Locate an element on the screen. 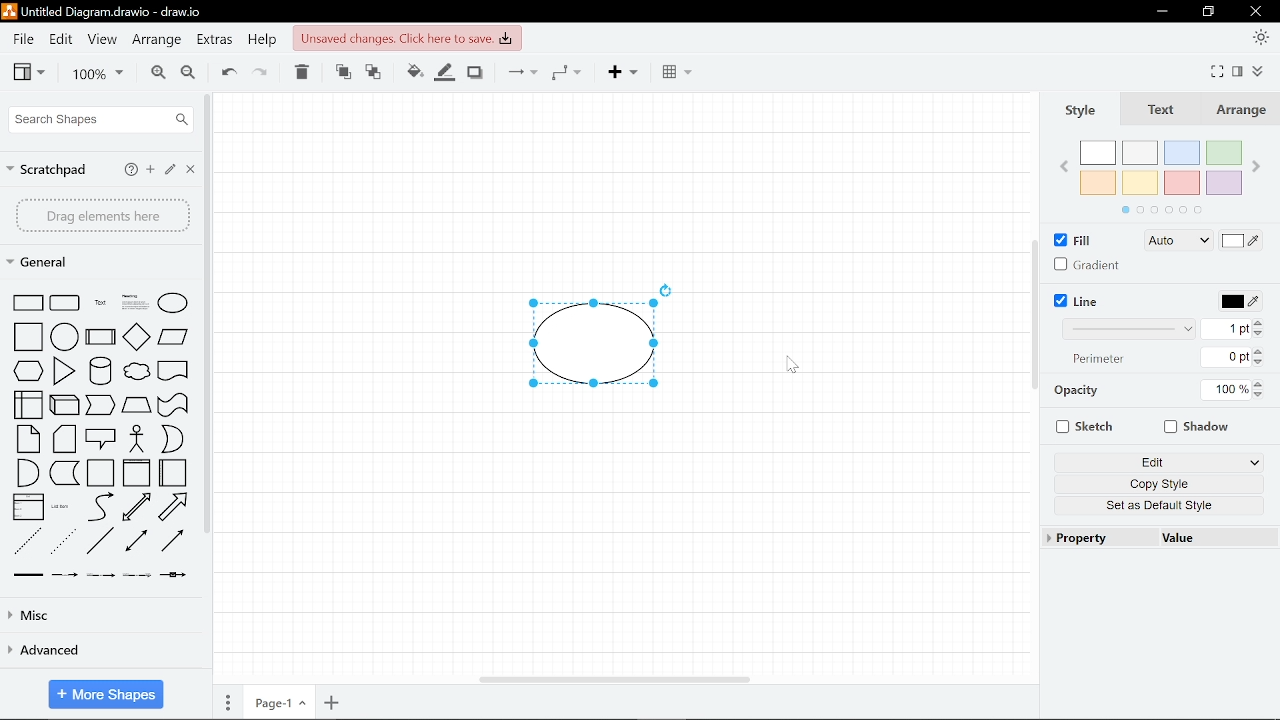 This screenshot has height=720, width=1280. Edit option is located at coordinates (1160, 463).